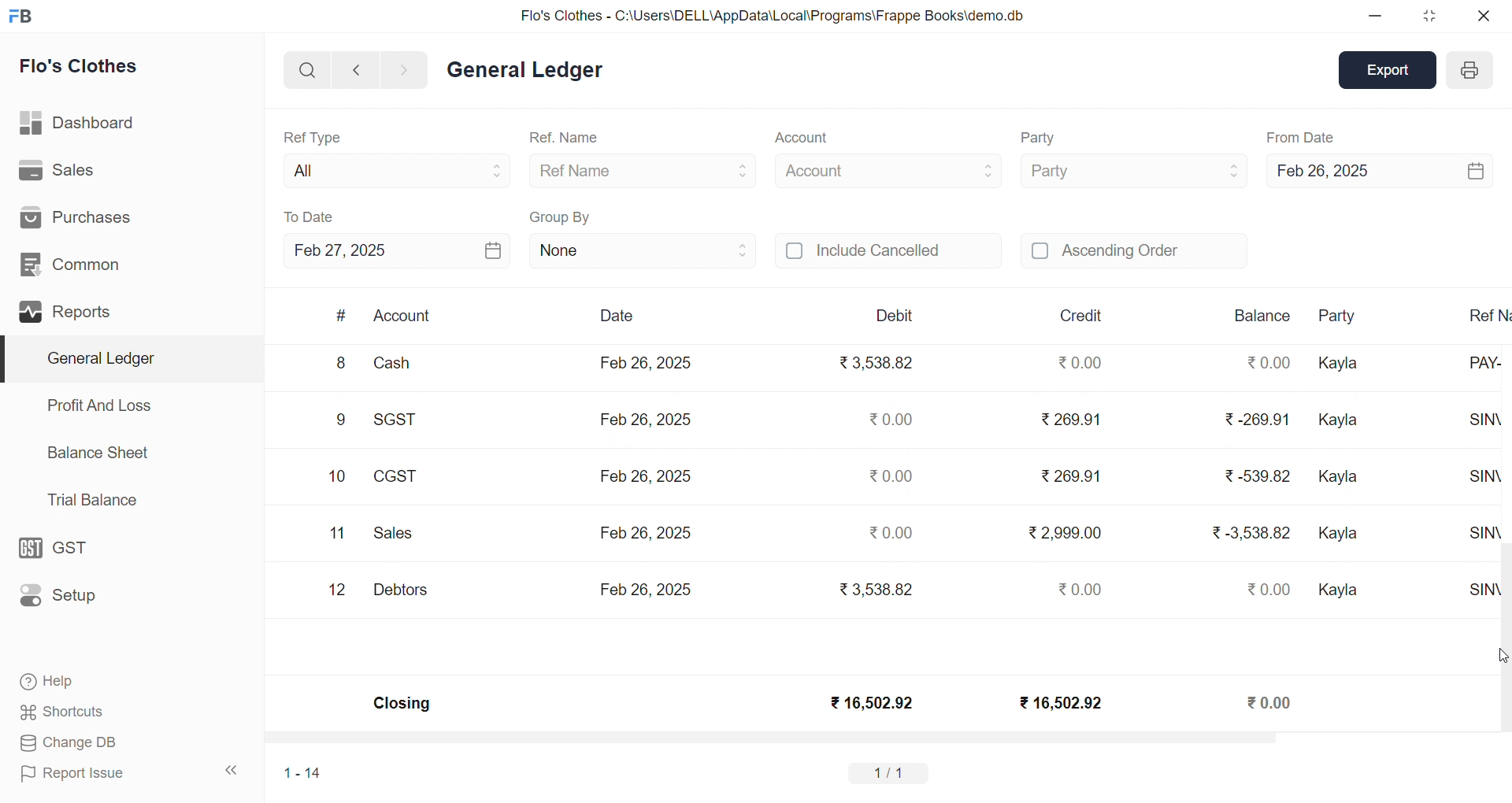 Image resolution: width=1512 pixels, height=803 pixels. I want to click on SINV-, so click(1474, 483).